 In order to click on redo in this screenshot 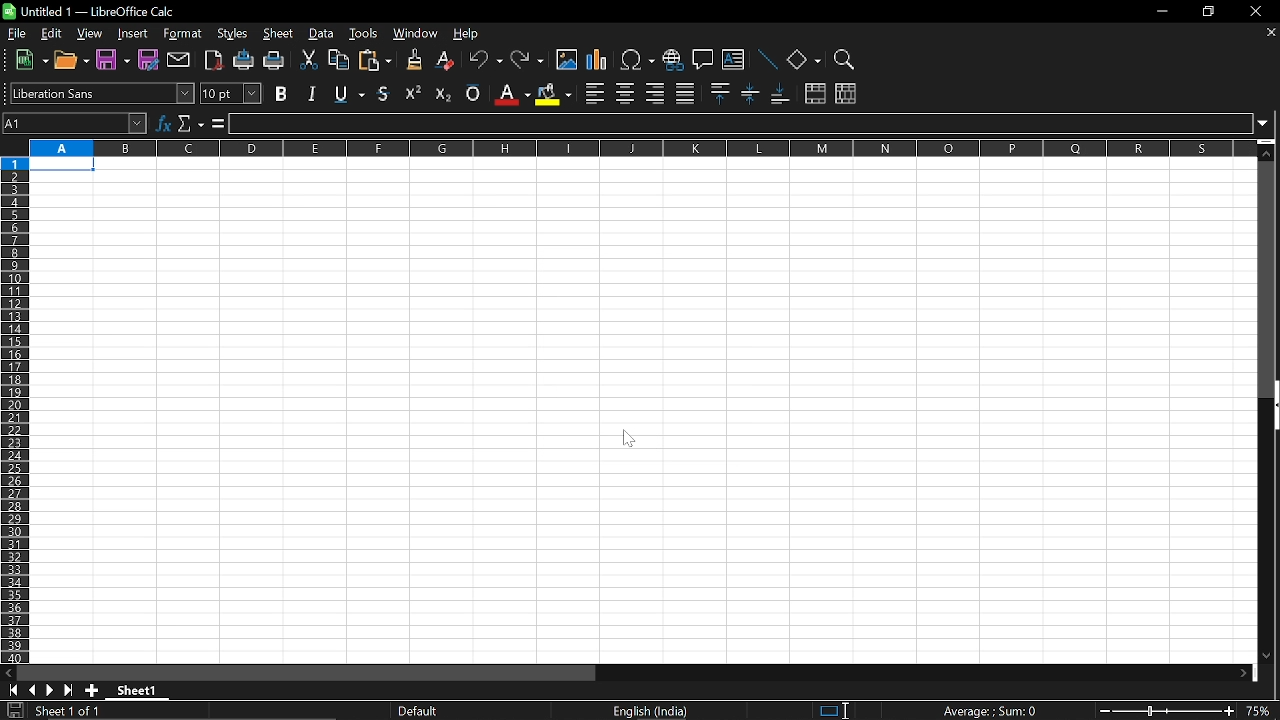, I will do `click(528, 61)`.